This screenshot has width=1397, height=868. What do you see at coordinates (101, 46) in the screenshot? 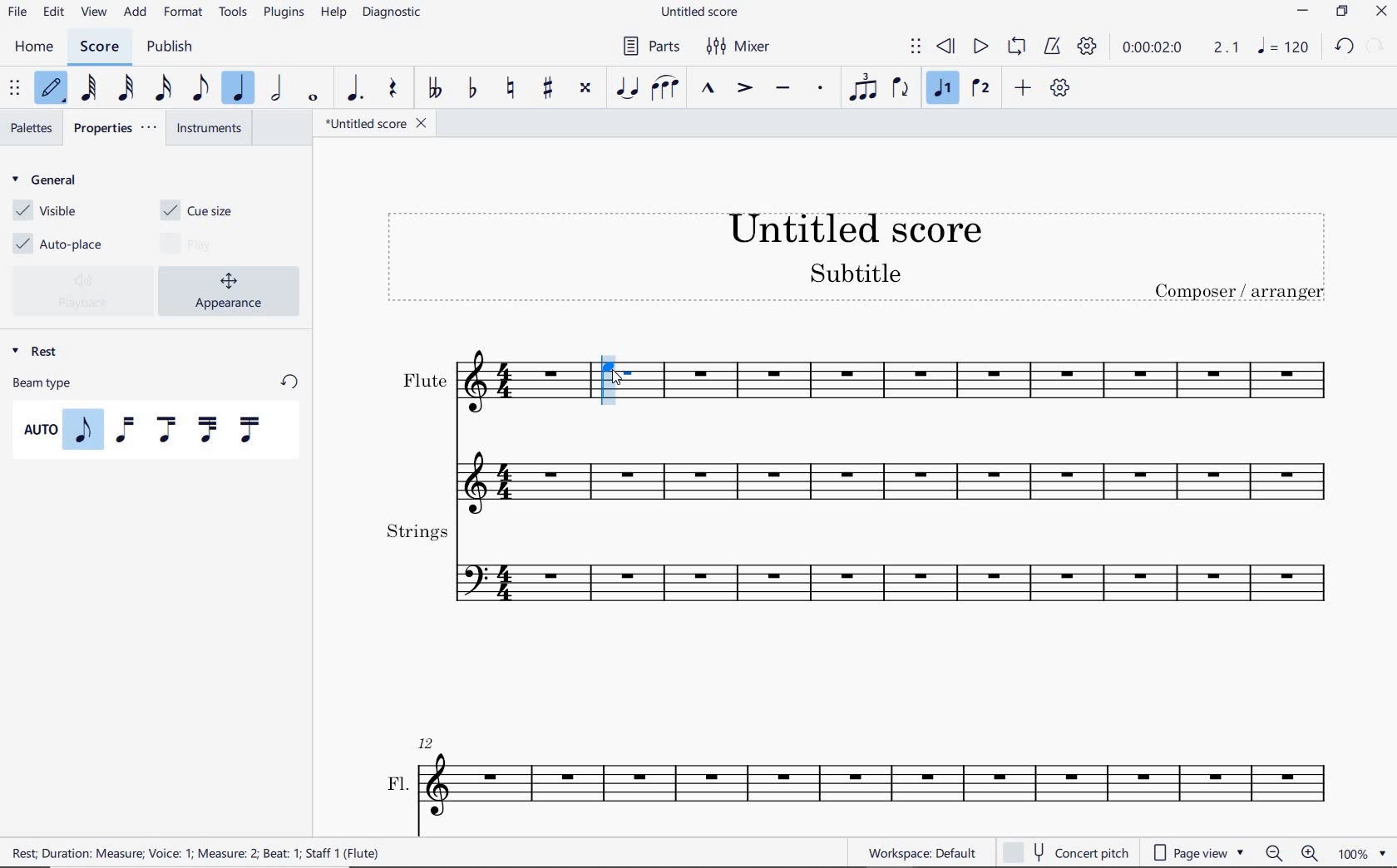
I see `SCORE` at bounding box center [101, 46].